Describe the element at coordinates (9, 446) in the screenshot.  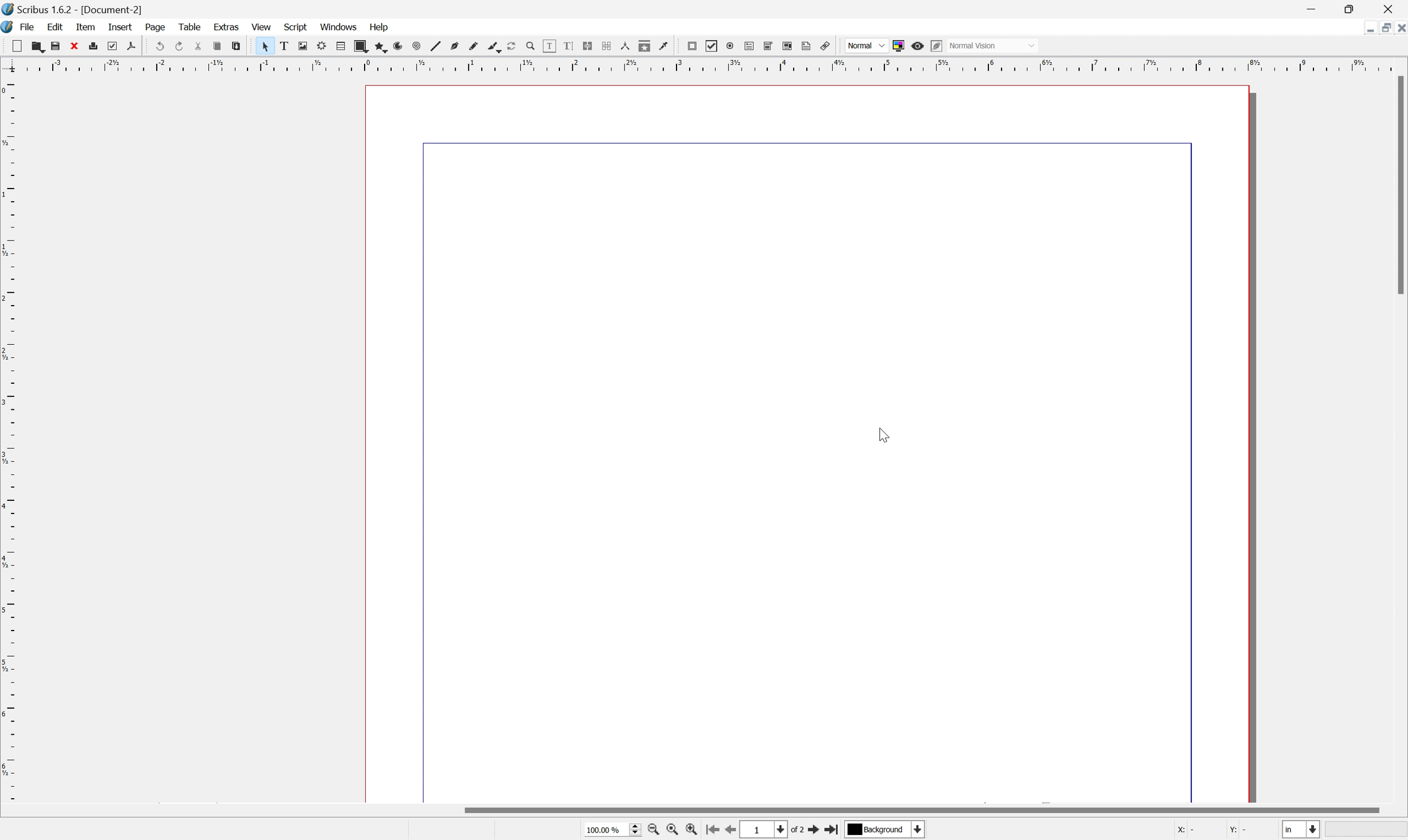
I see `Ruler` at that location.